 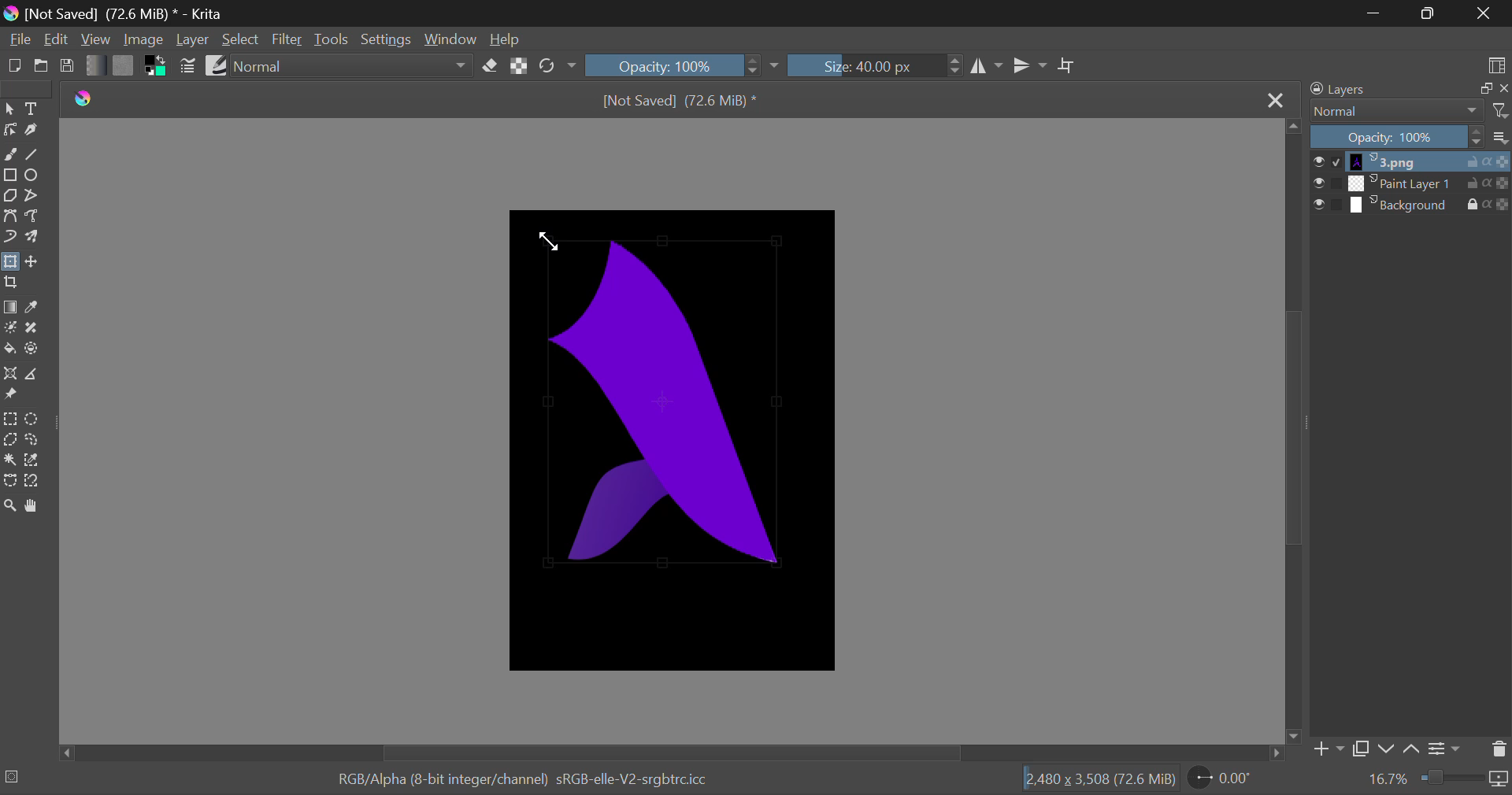 What do you see at coordinates (1388, 778) in the screenshot?
I see `Zoom value` at bounding box center [1388, 778].